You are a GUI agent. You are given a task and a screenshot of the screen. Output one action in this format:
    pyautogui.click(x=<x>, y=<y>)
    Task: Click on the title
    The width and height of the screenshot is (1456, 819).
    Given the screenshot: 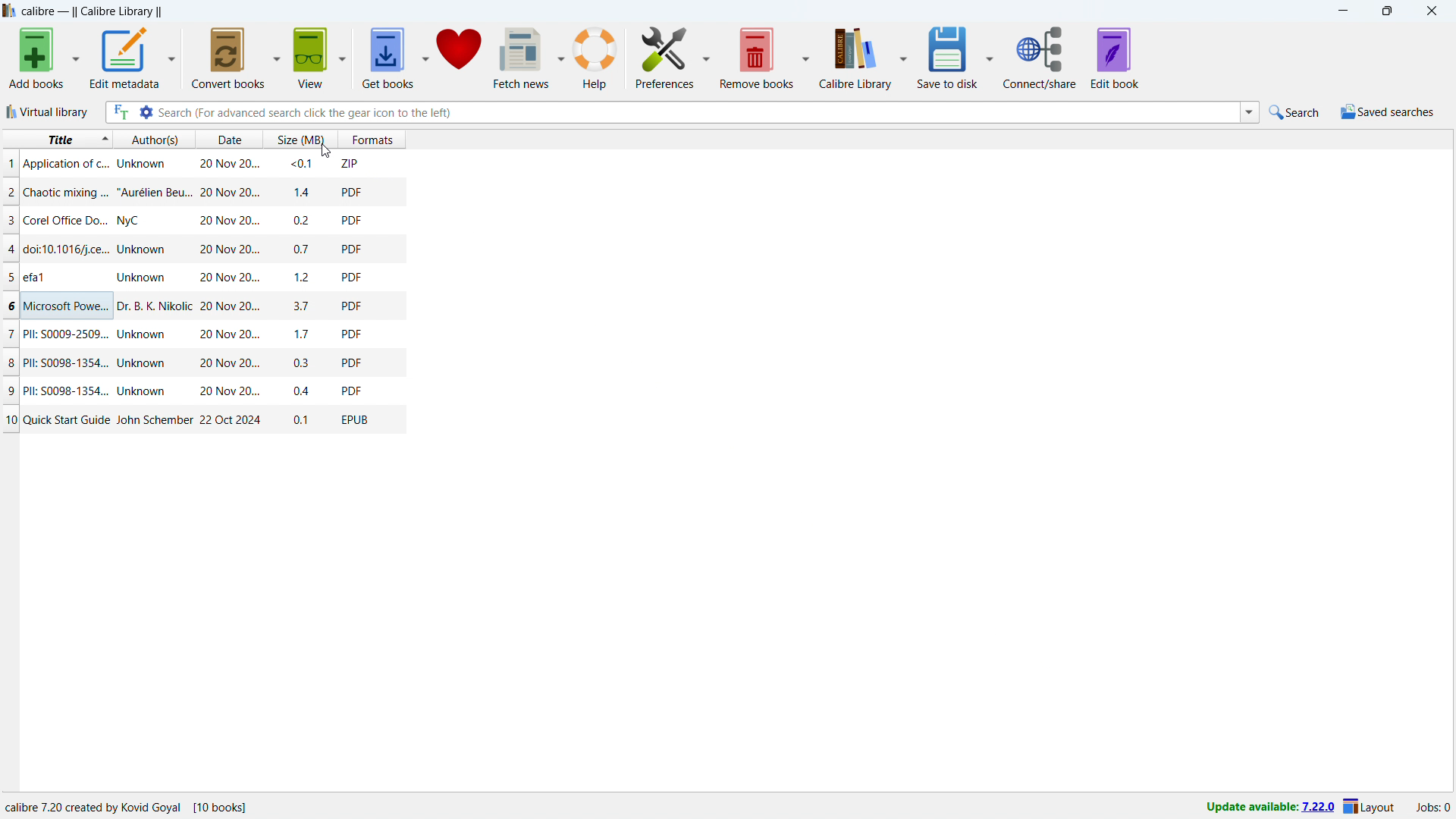 What is the action you would take?
    pyautogui.click(x=64, y=362)
    